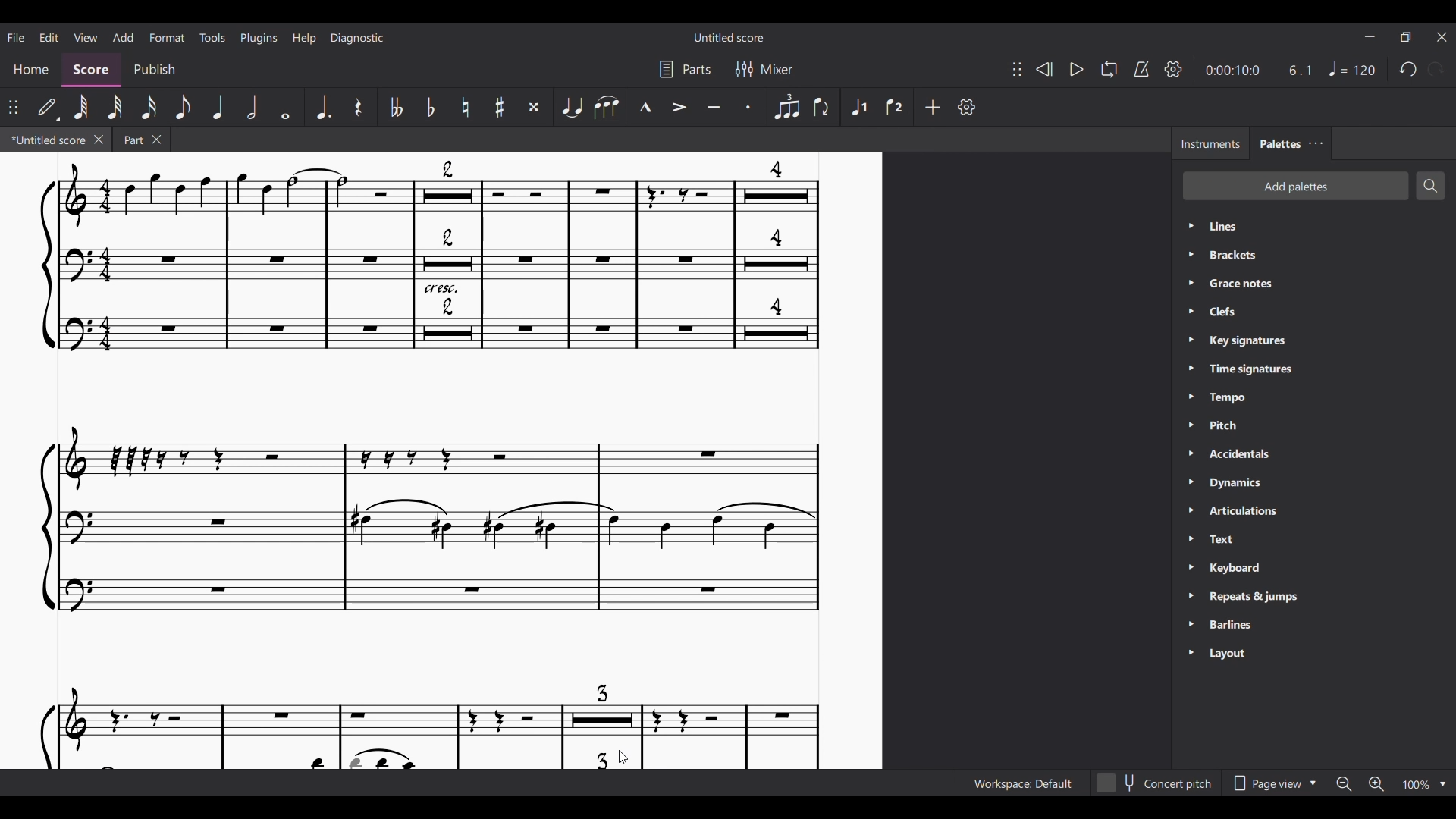 This screenshot has height=819, width=1456. I want to click on Current tab highlighted, so click(46, 140).